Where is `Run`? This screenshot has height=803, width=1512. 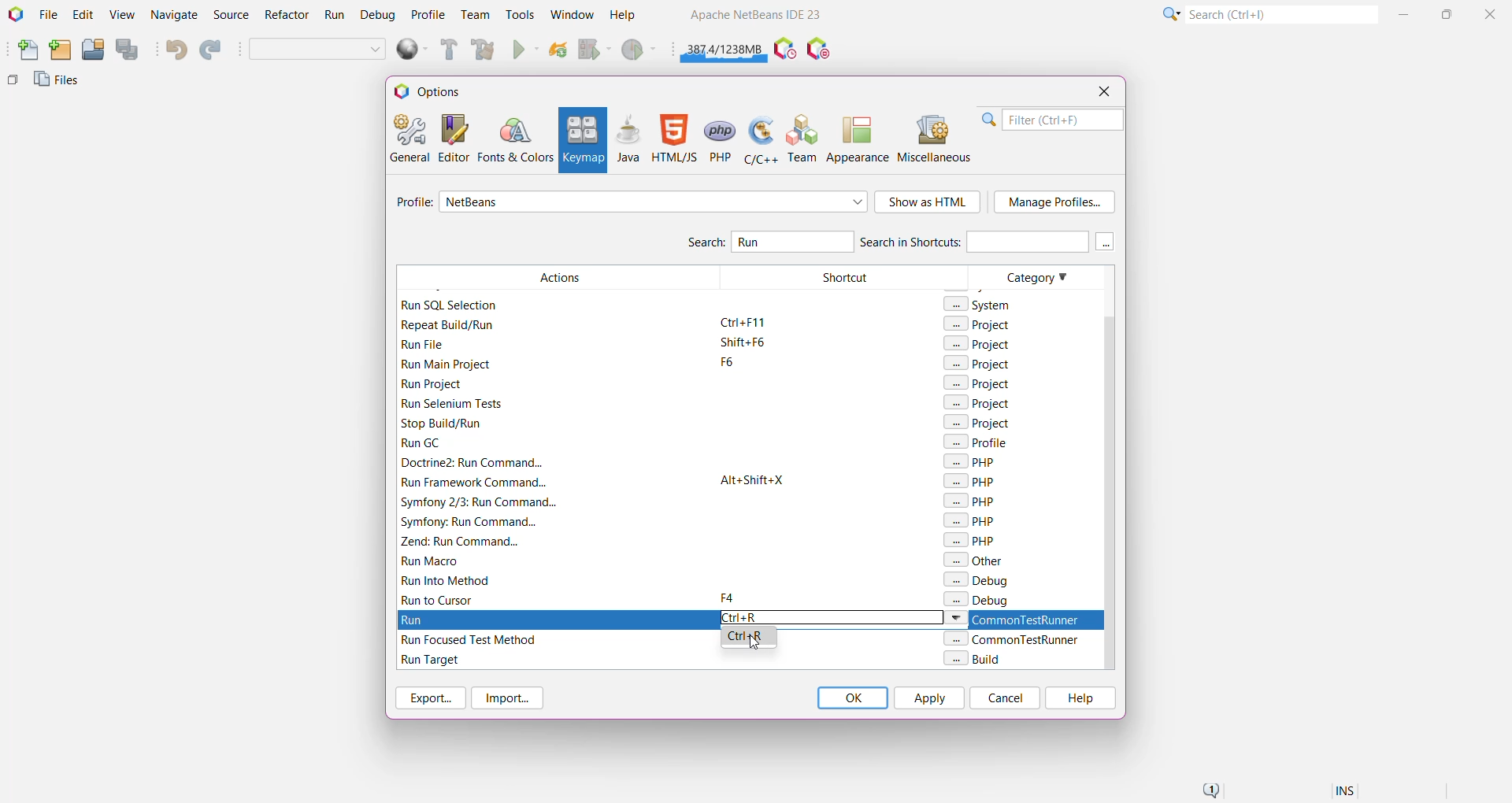
Run is located at coordinates (526, 51).